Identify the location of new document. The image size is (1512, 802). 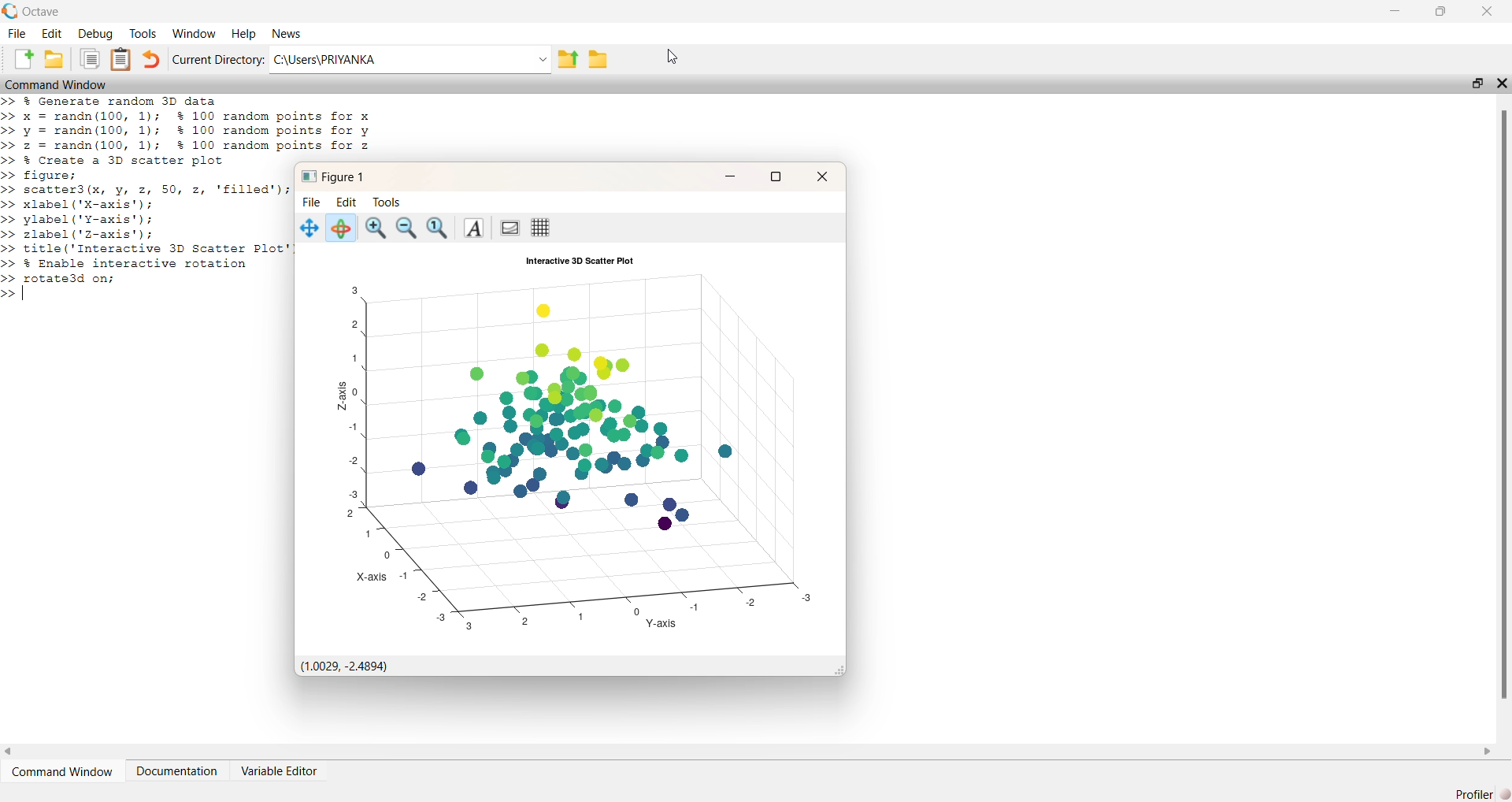
(23, 58).